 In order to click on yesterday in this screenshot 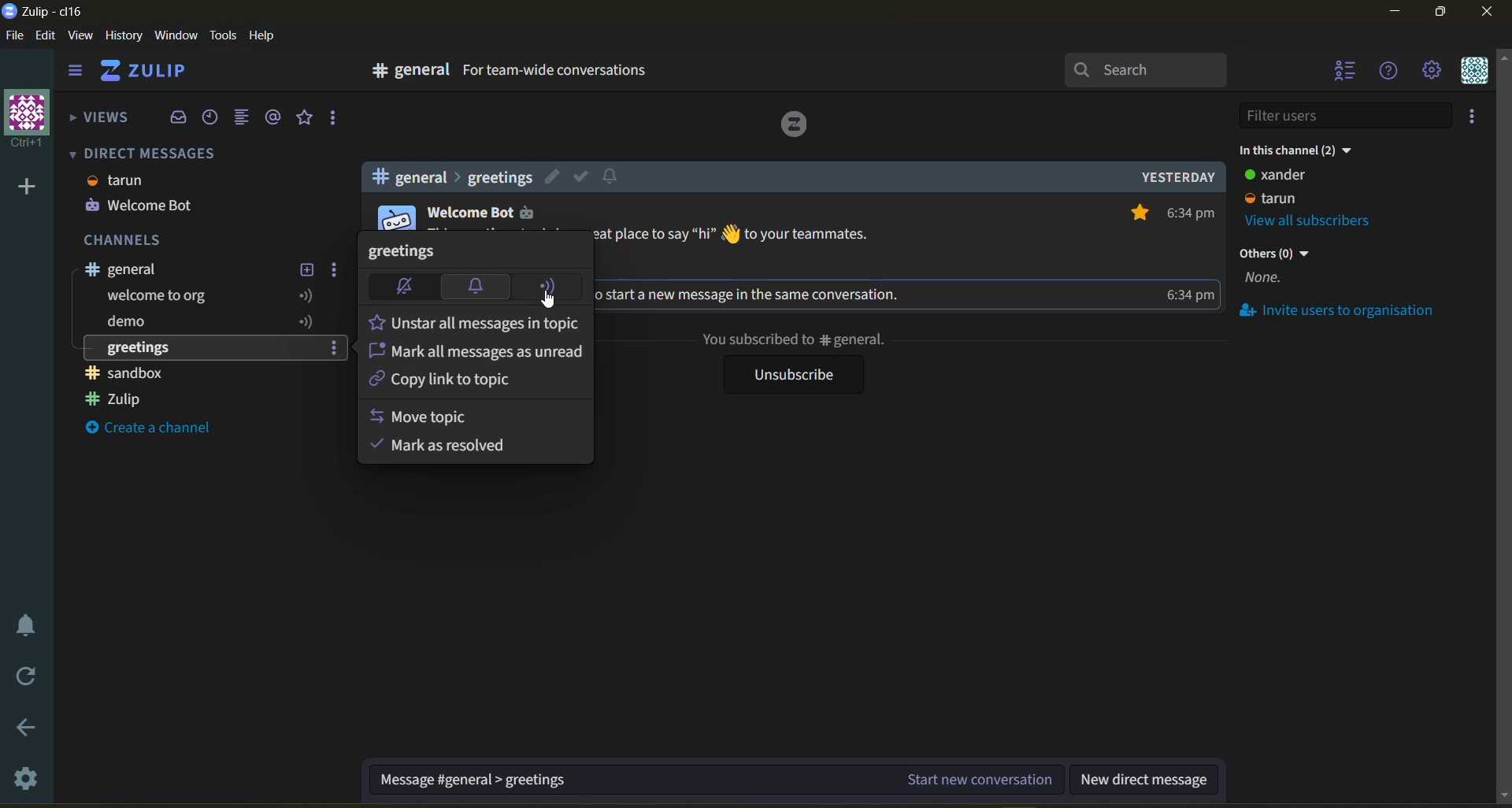, I will do `click(1177, 176)`.